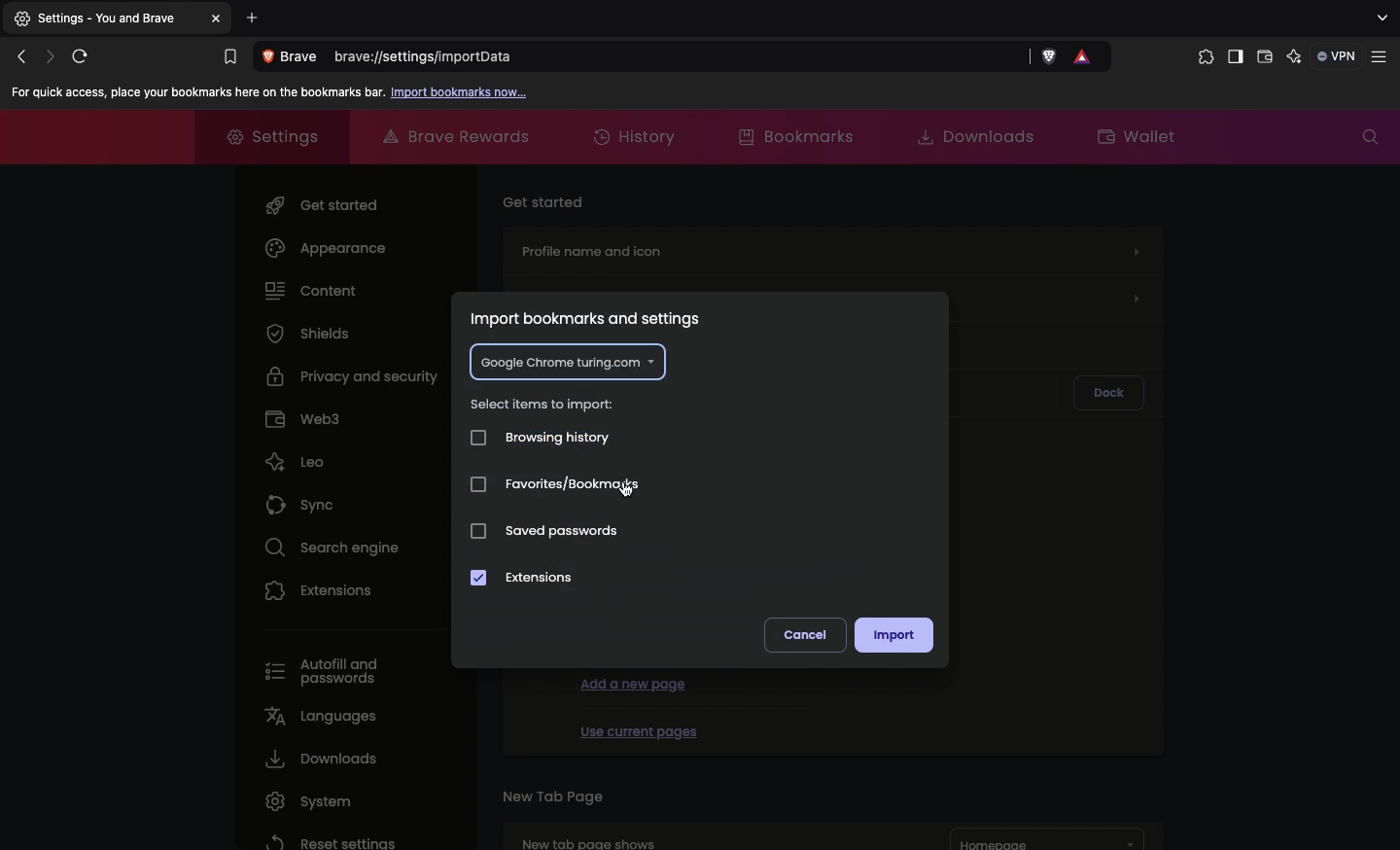  What do you see at coordinates (104, 19) in the screenshot?
I see `Settings` at bounding box center [104, 19].